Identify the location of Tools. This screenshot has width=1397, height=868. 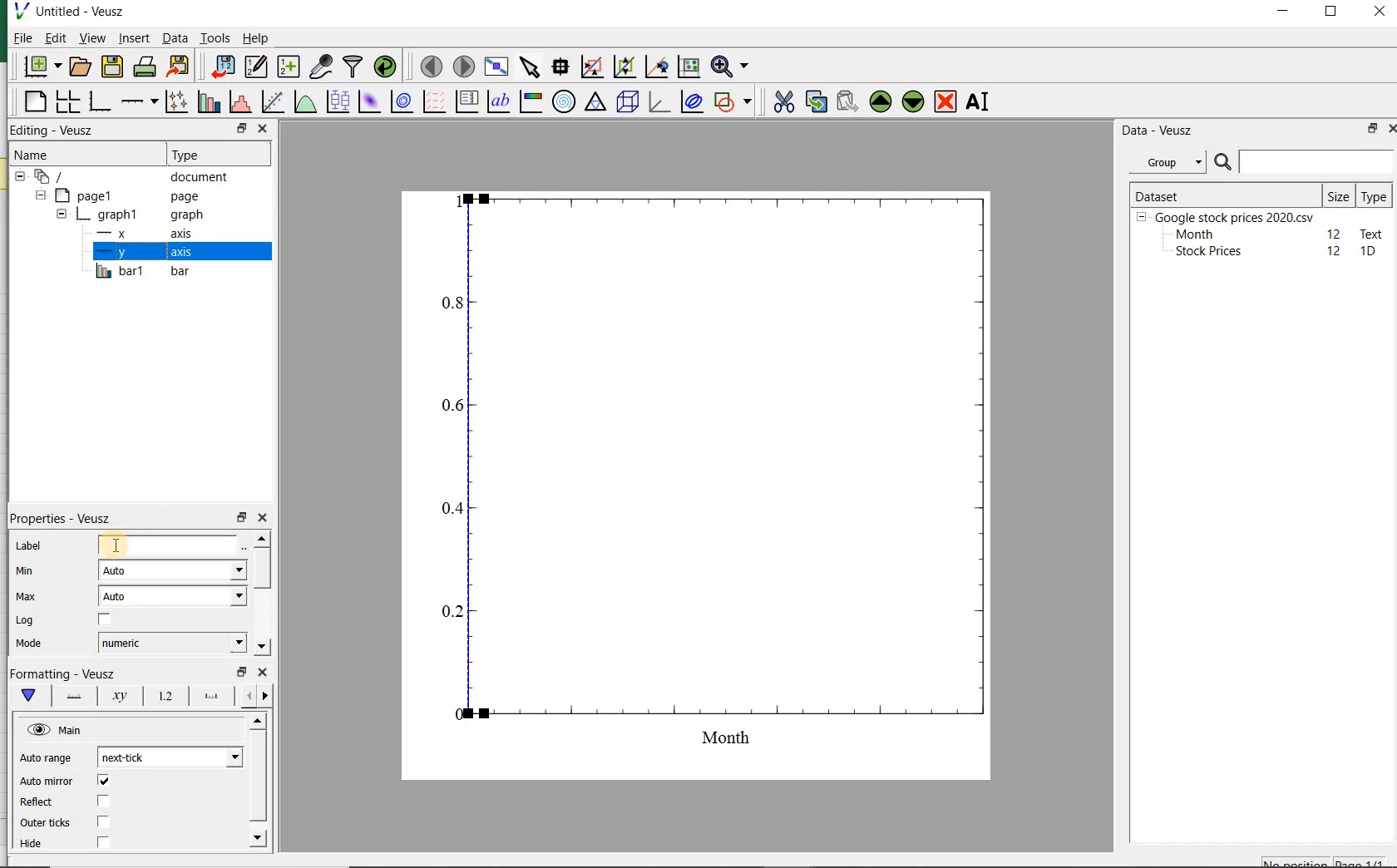
(215, 38).